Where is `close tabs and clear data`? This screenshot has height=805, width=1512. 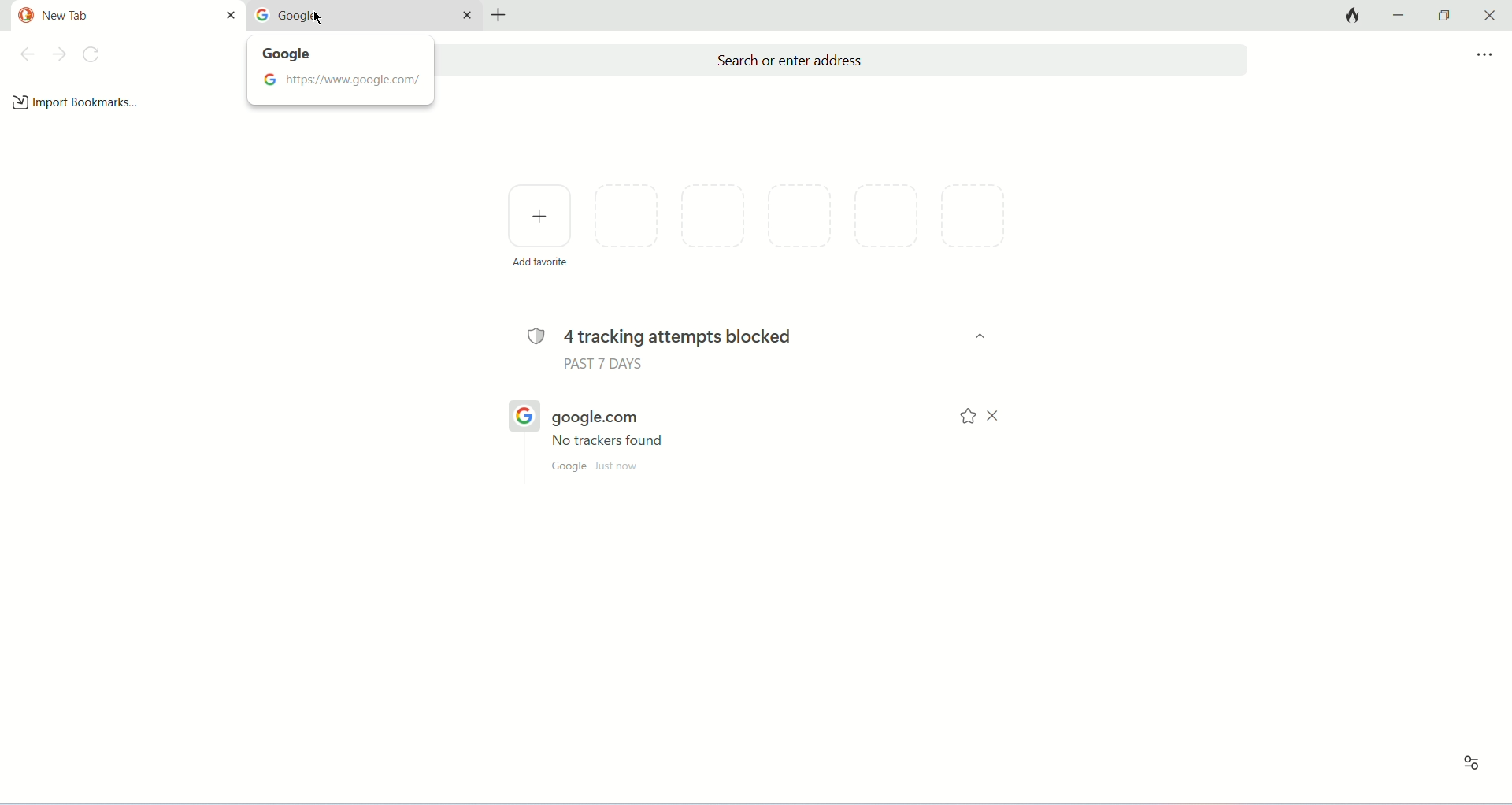
close tabs and clear data is located at coordinates (1354, 16).